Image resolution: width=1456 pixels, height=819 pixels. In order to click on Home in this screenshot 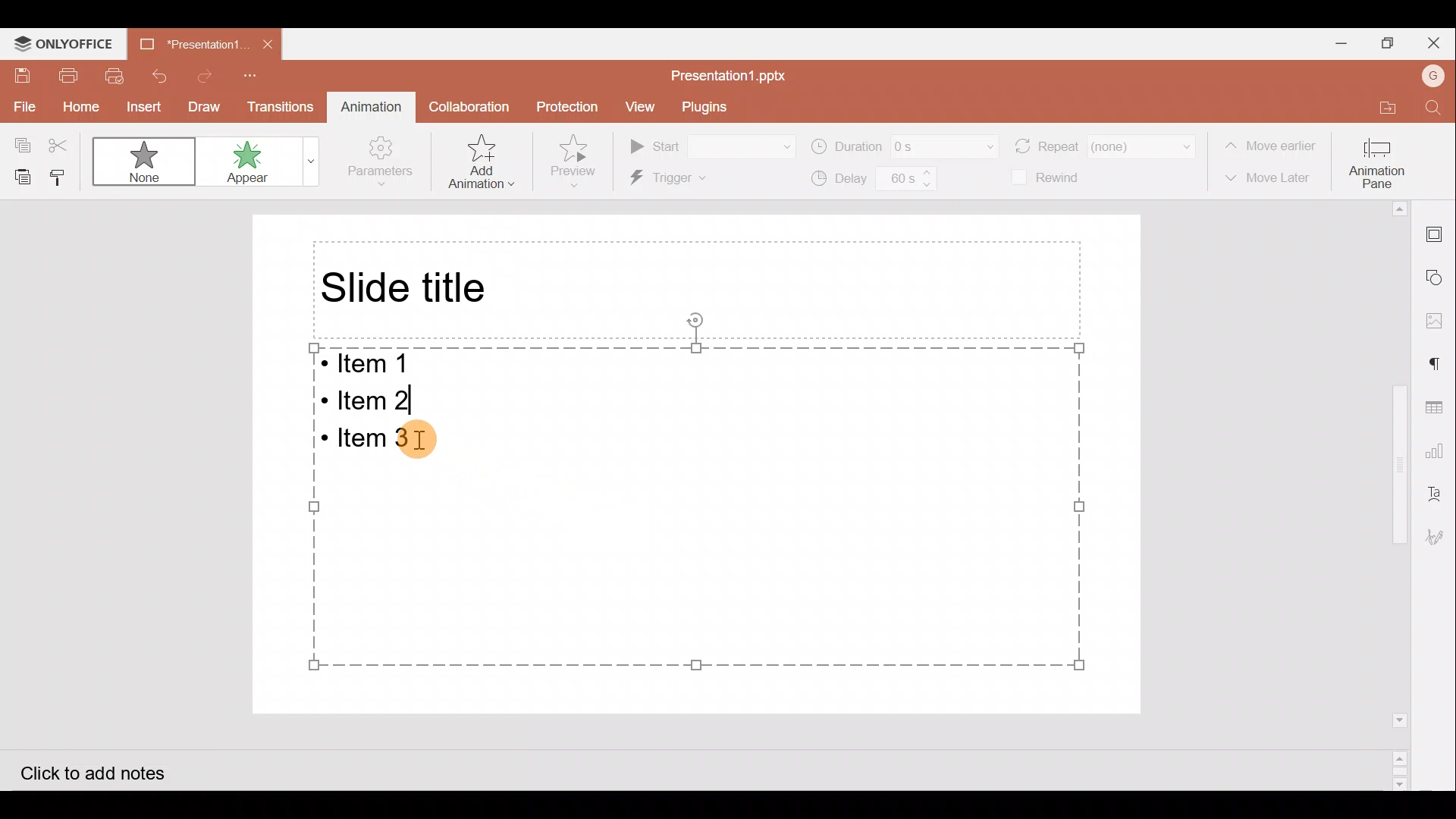, I will do `click(73, 104)`.